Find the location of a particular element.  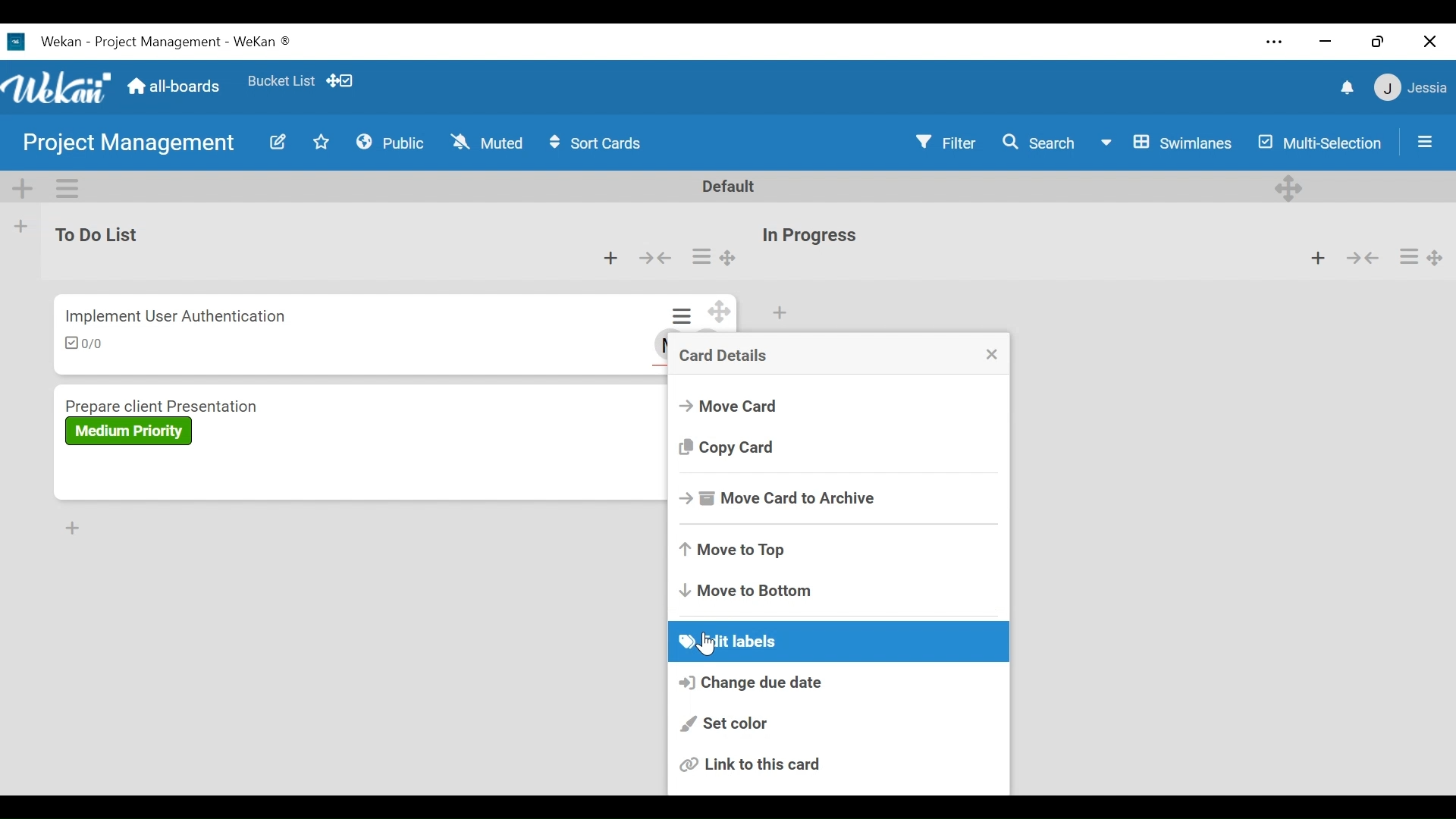

Favorites is located at coordinates (322, 141).